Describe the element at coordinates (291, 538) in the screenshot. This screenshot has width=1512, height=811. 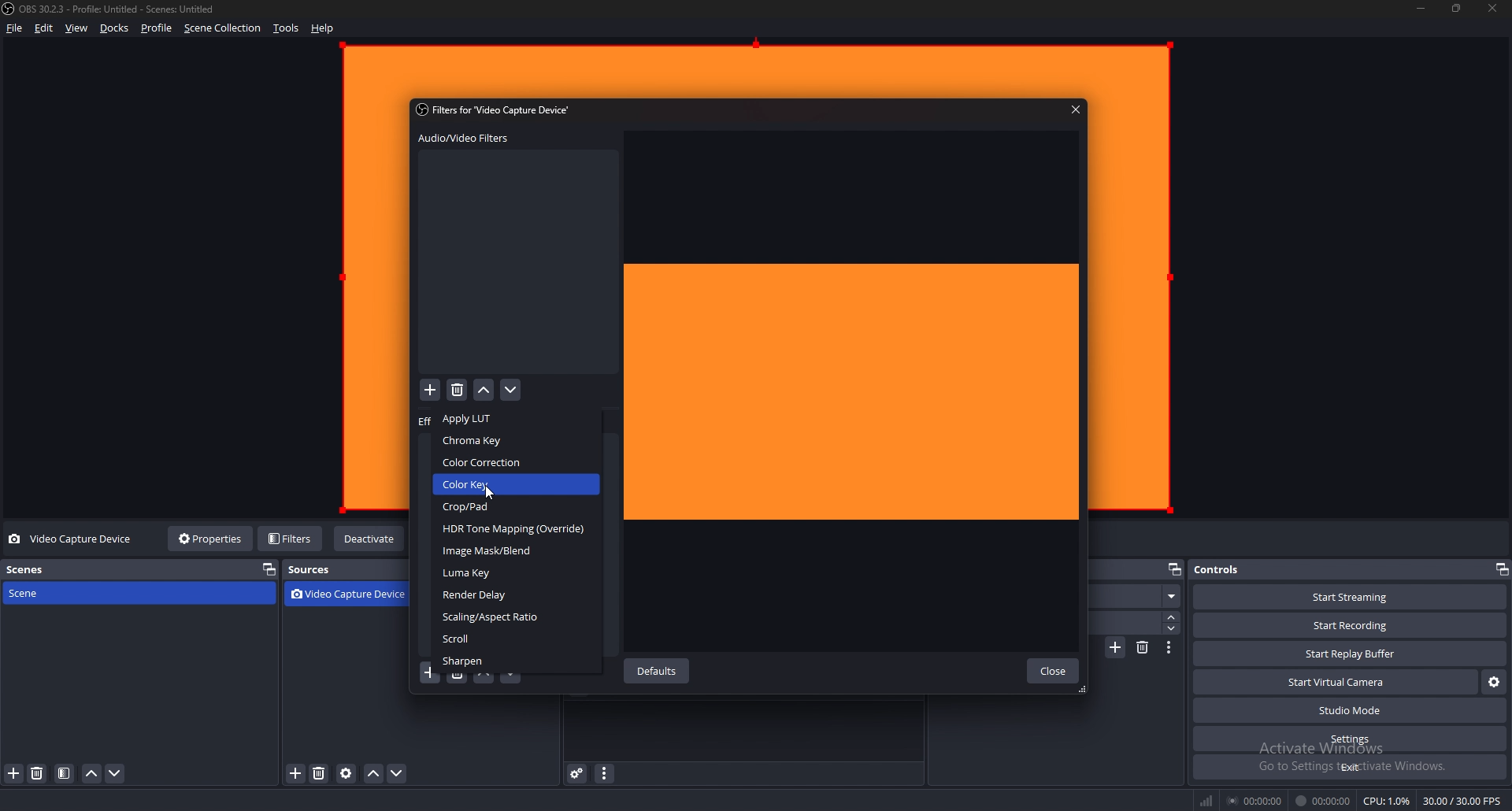
I see `filters` at that location.